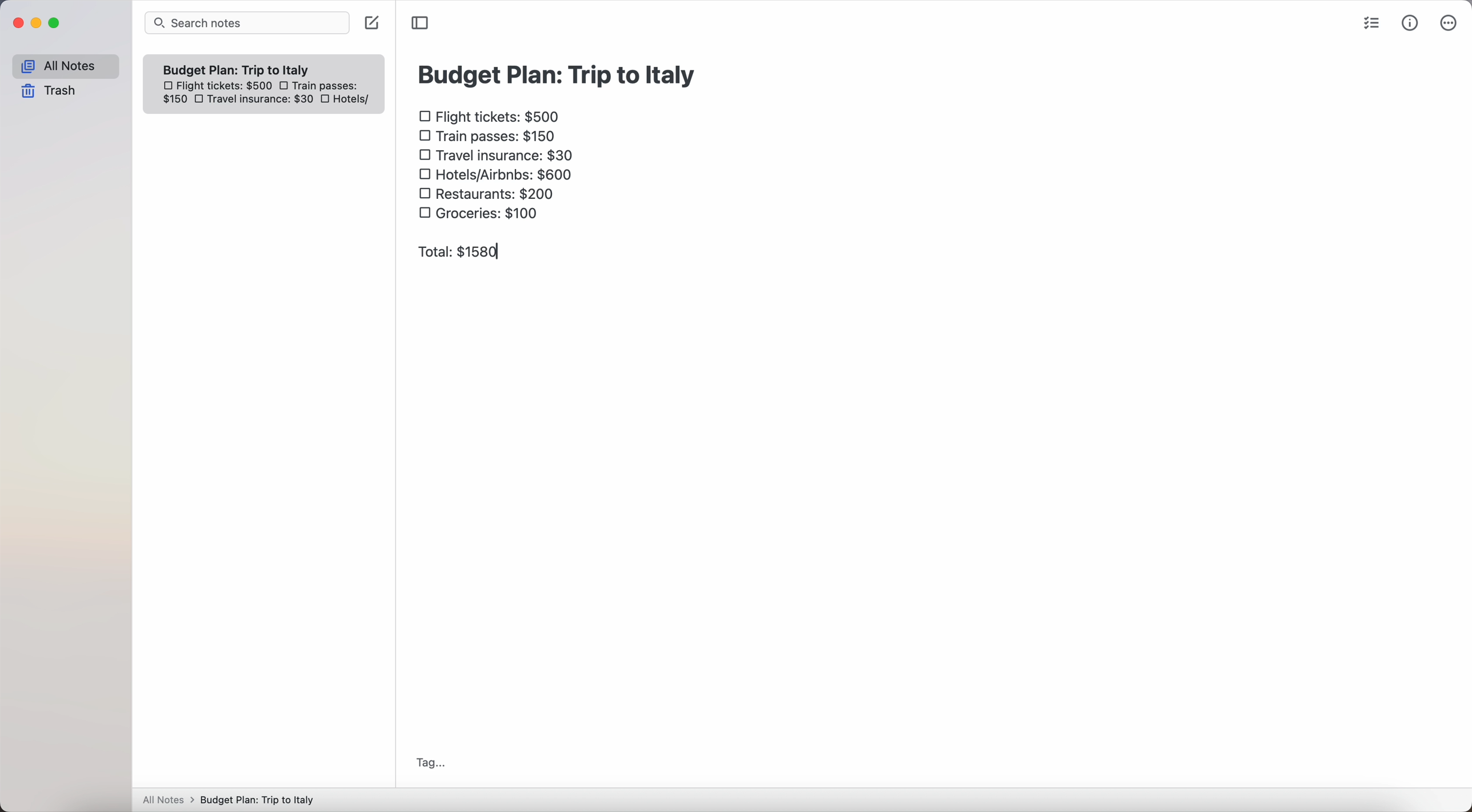 Image resolution: width=1472 pixels, height=812 pixels. Describe the element at coordinates (329, 100) in the screenshot. I see `checkbox` at that location.